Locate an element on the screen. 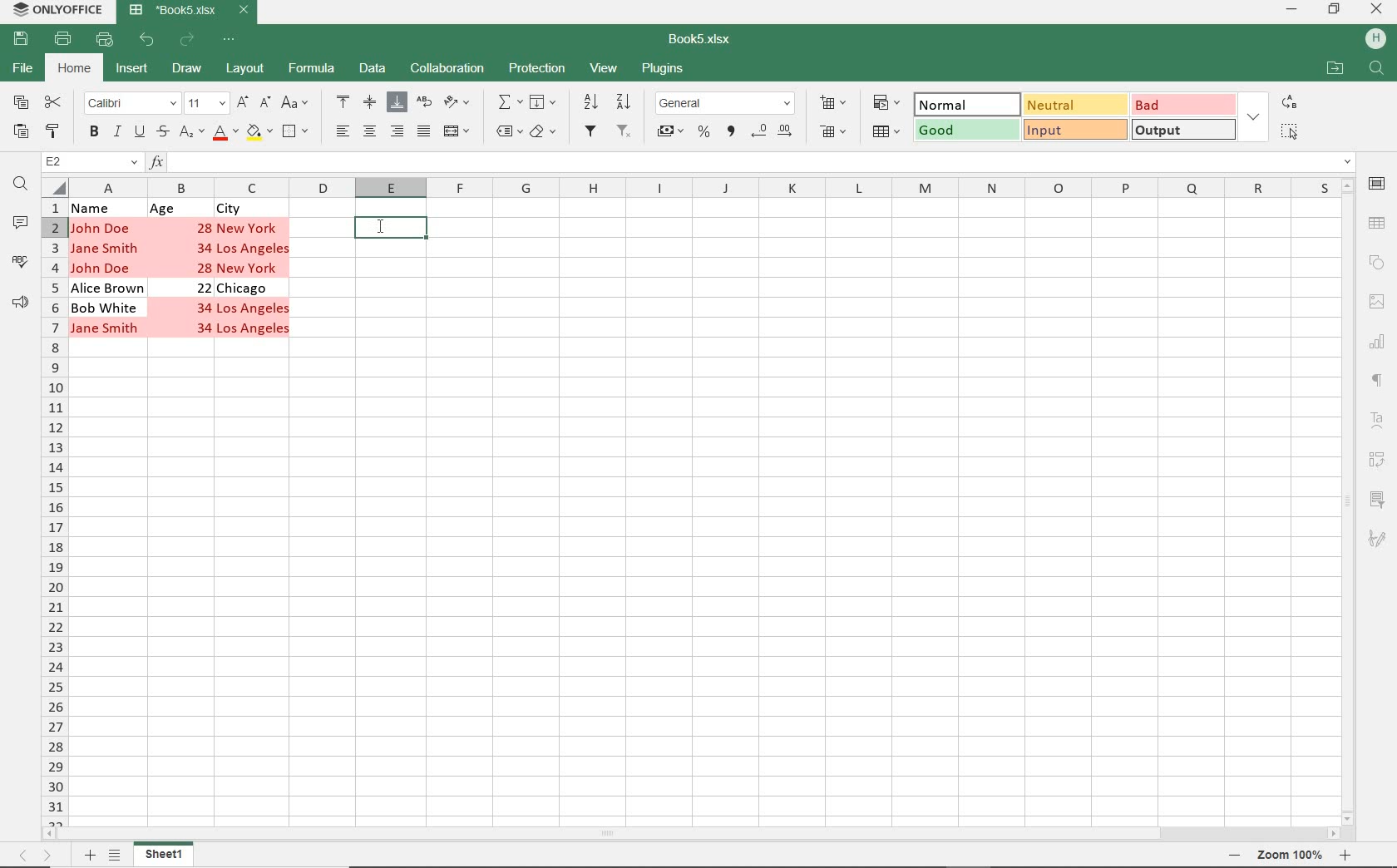  Los Angeles is located at coordinates (256, 249).